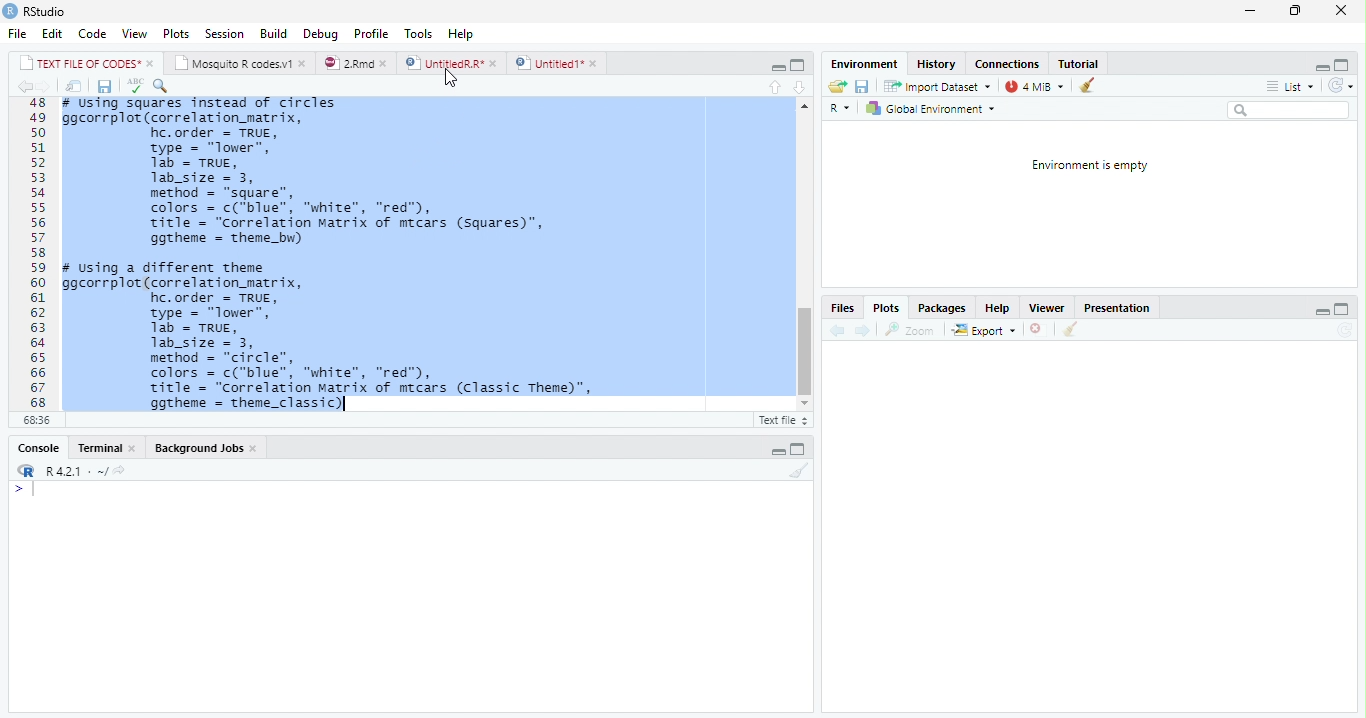 This screenshot has height=718, width=1366. Describe the element at coordinates (421, 254) in the screenshot. I see `orrplot (correlation matrix,hc.order = TRUE,type = “lower”,lab = TRUE,lab_size = 3,method = “square”,colors = c("blue”, “white”, “red"),title = "Correlation Matrix of mtcars (squares)”,ggthene = theme_bw)sing a different themeorrplot{correlation_matrix,hc.order = TRUE,type = “lower”,lab = TRUE,lab_size = 3,method = “circle”,colors = c("blue”, “white”, “red”),title = "Correlation Matrix of mecars (Classic Theme)”, ` at that location.